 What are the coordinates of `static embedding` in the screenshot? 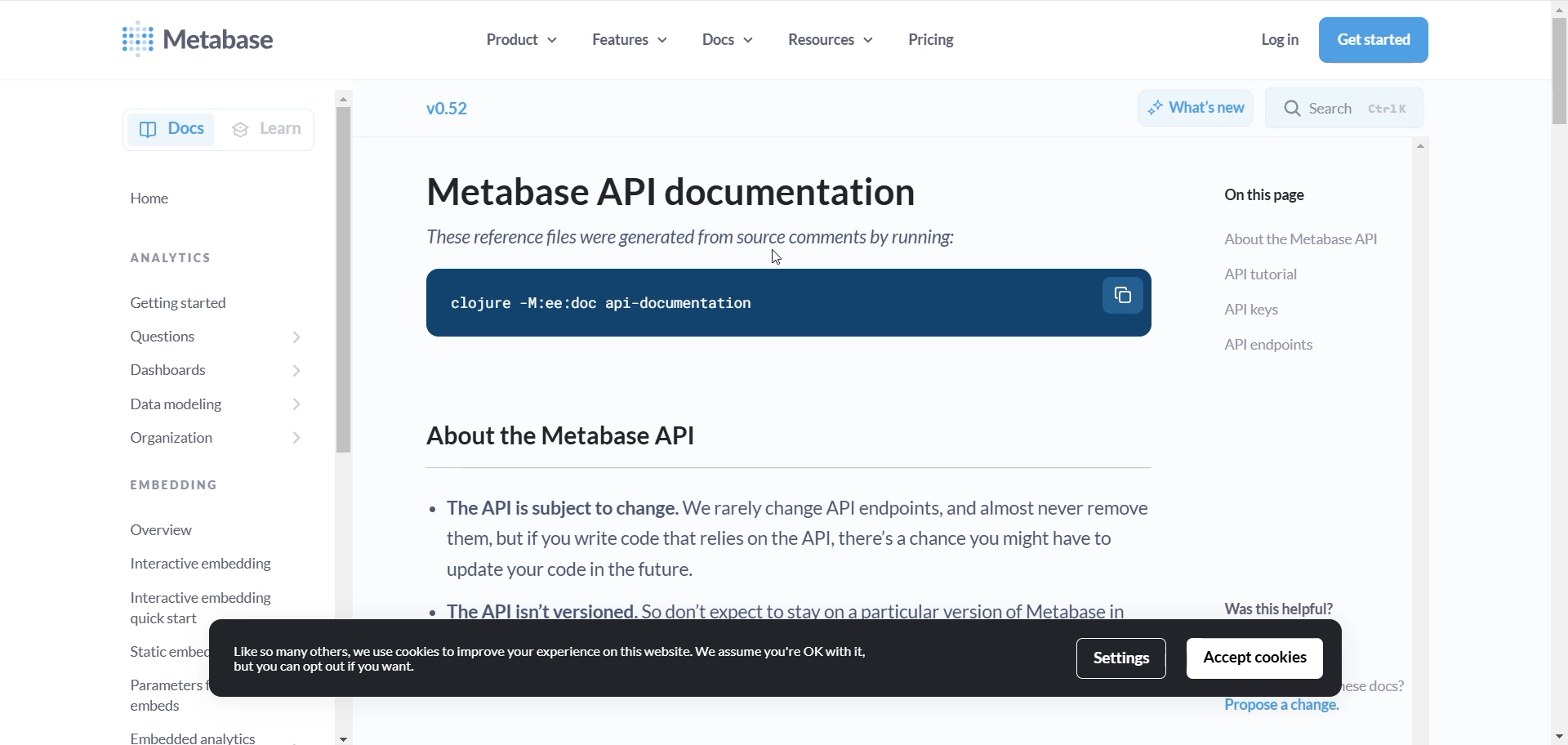 It's located at (145, 648).